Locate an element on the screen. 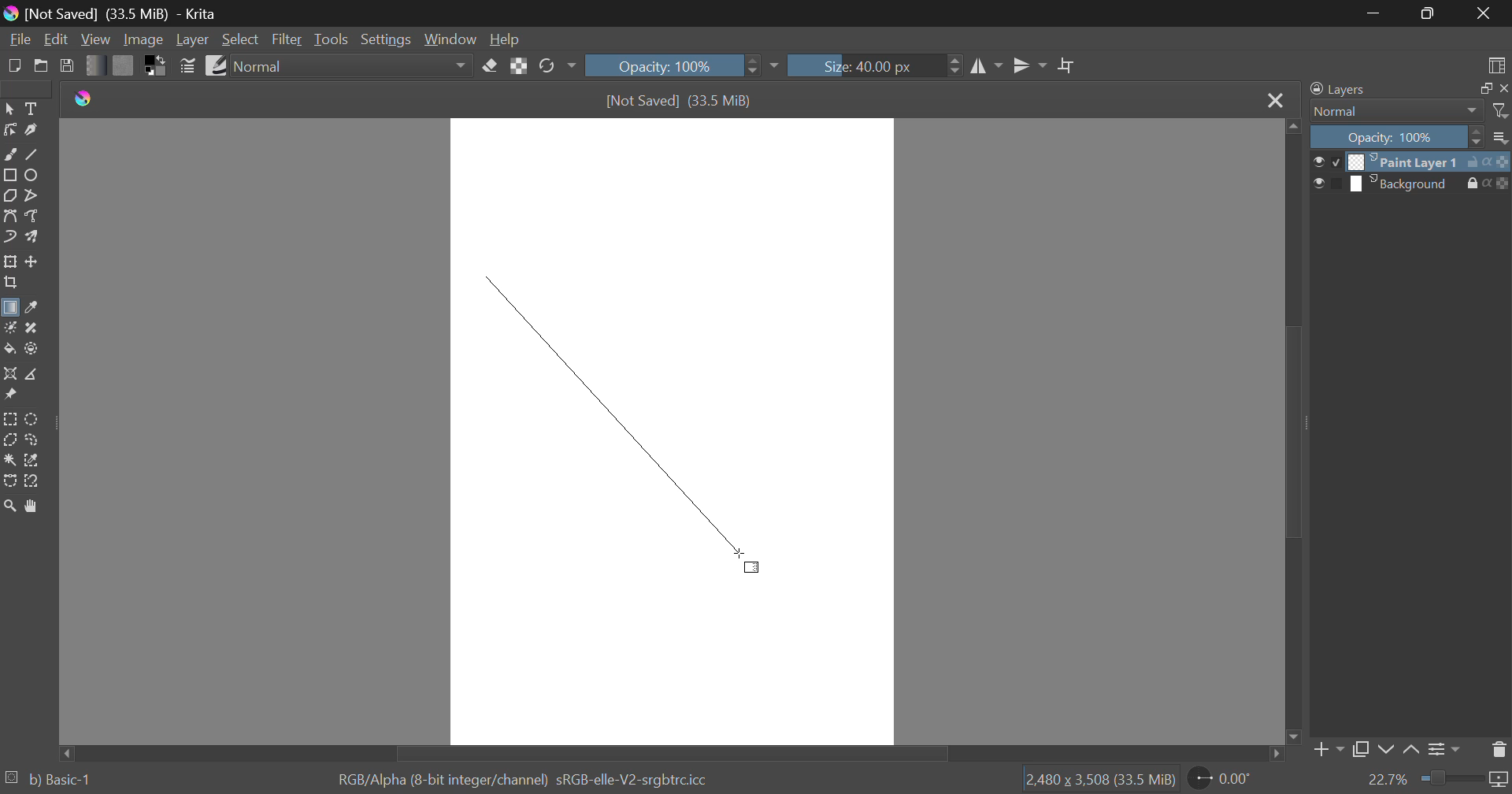  Circular Selection is located at coordinates (34, 419).